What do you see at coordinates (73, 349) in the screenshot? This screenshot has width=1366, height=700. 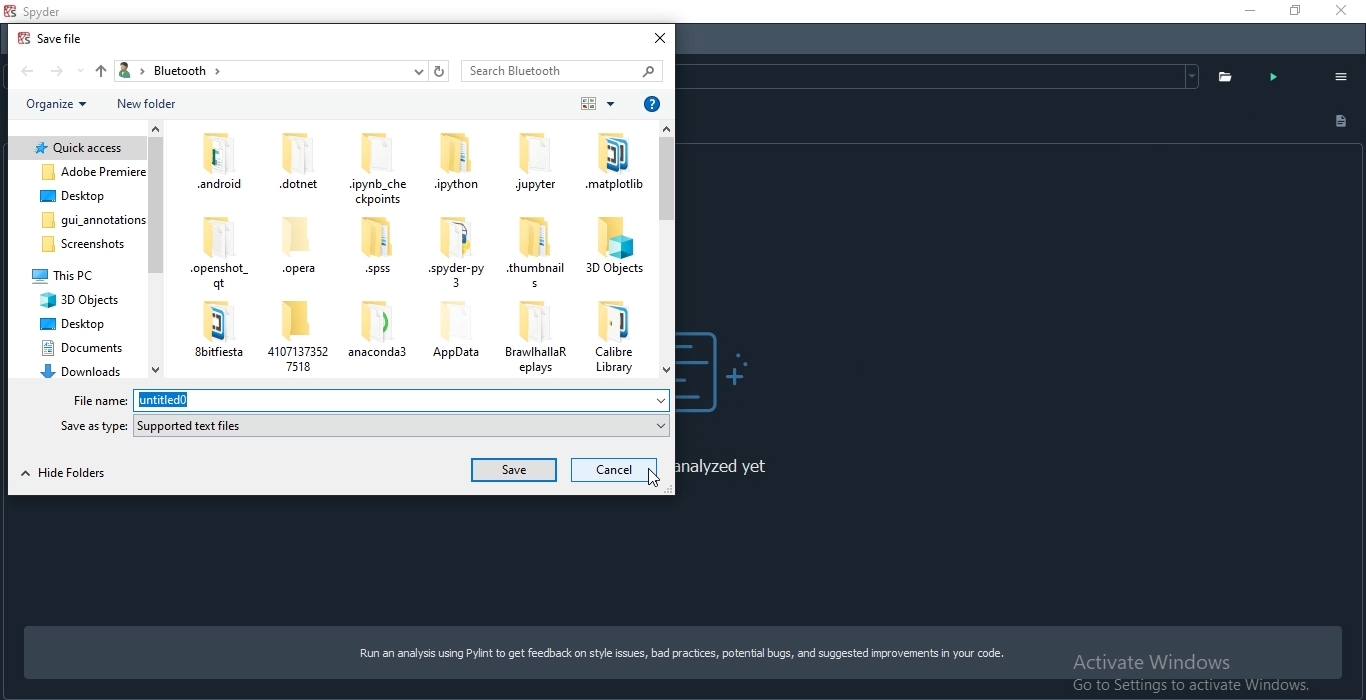 I see `documents` at bounding box center [73, 349].